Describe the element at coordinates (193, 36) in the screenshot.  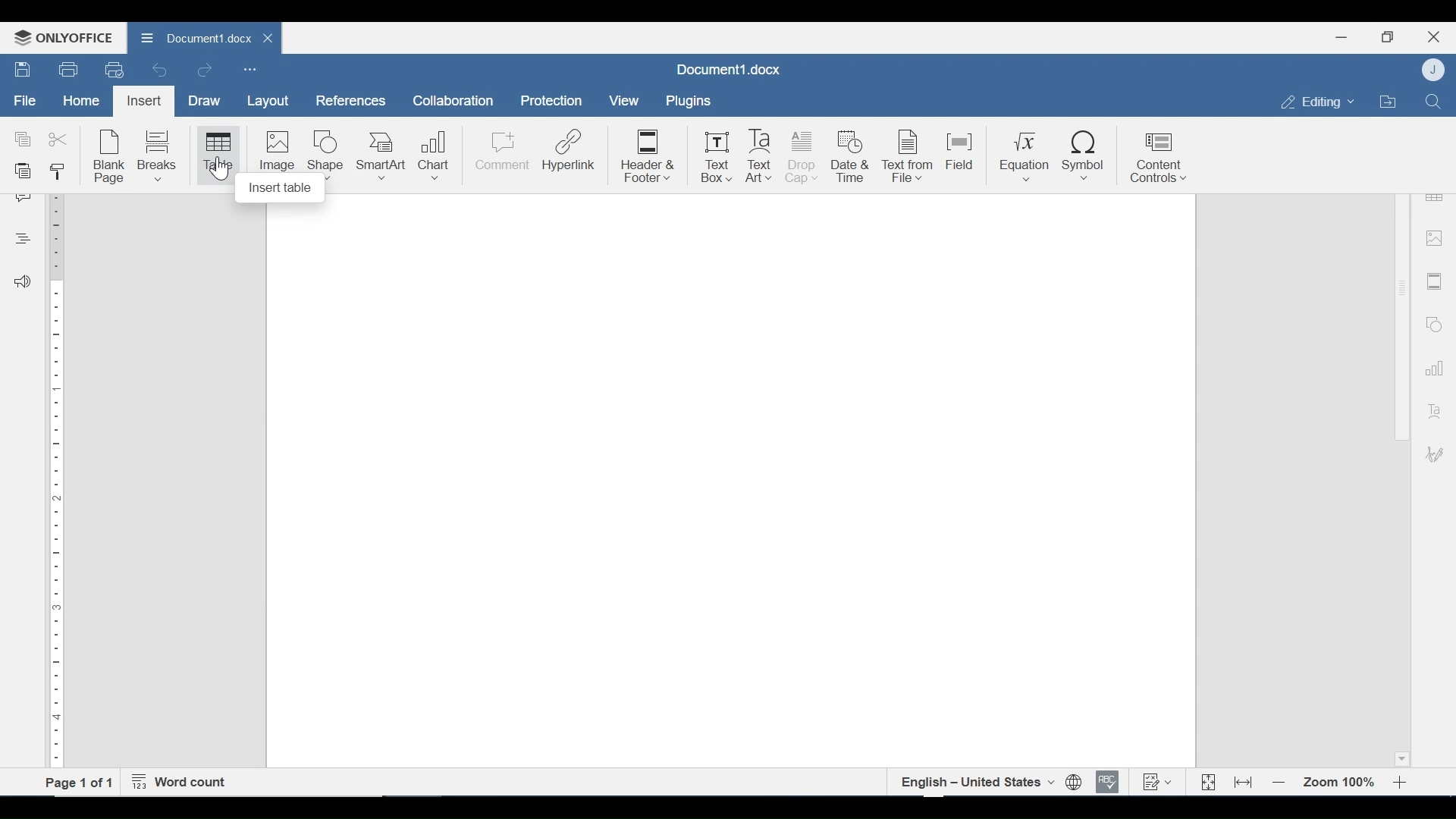
I see `Document1.docx` at that location.